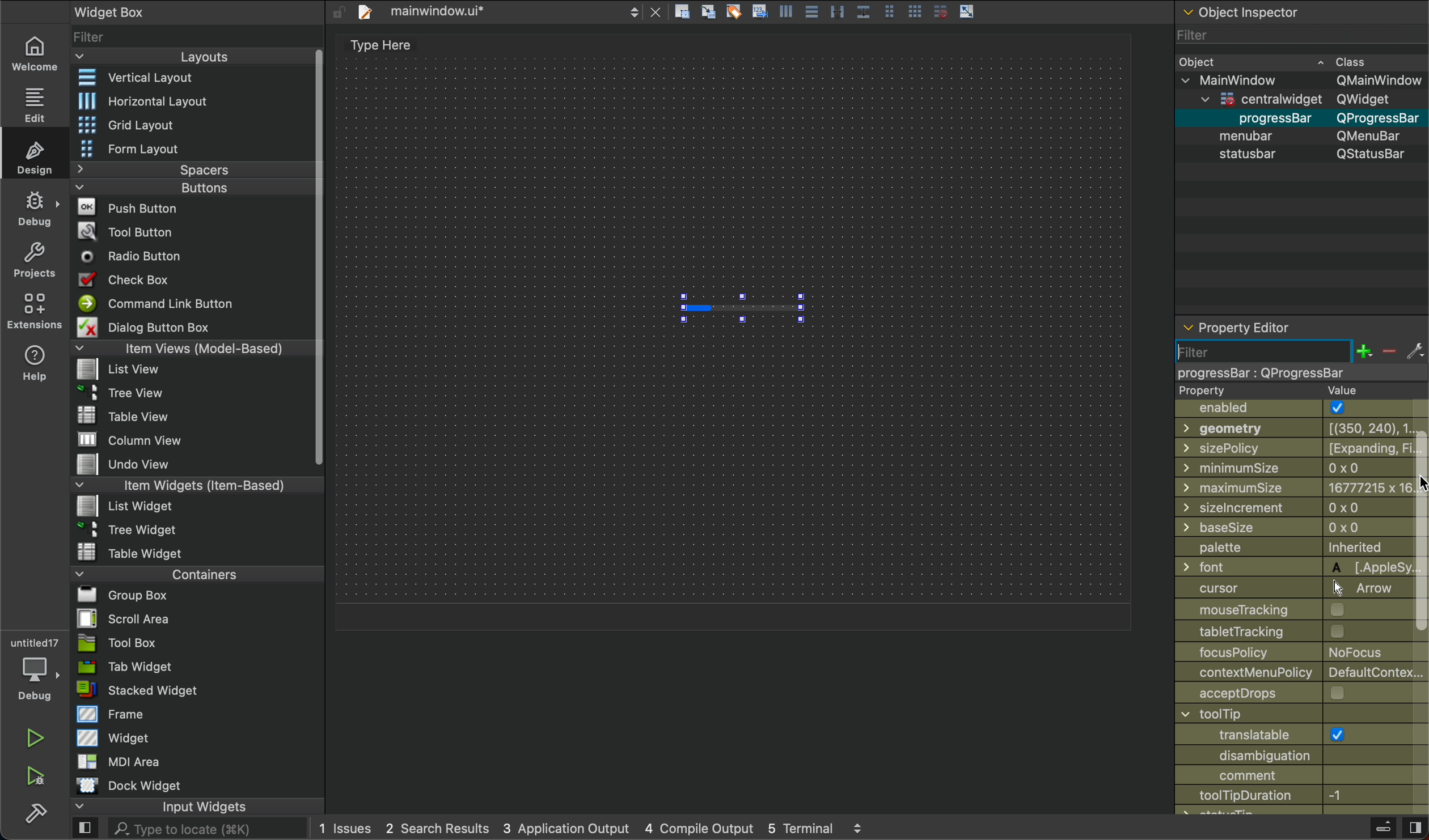  I want to click on focus policy, so click(1280, 654).